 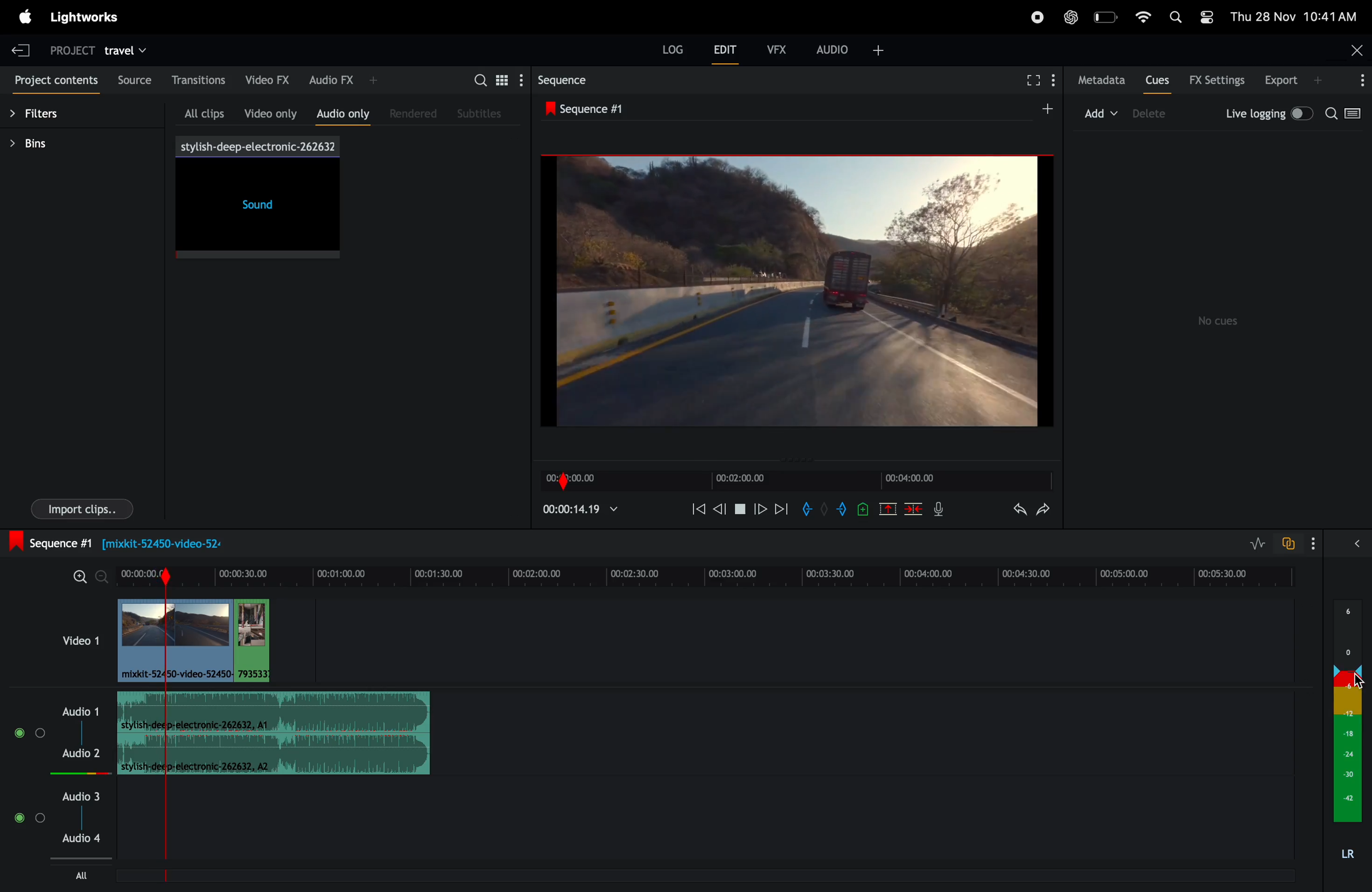 What do you see at coordinates (24, 733) in the screenshot?
I see `Mute/Unmute track` at bounding box center [24, 733].